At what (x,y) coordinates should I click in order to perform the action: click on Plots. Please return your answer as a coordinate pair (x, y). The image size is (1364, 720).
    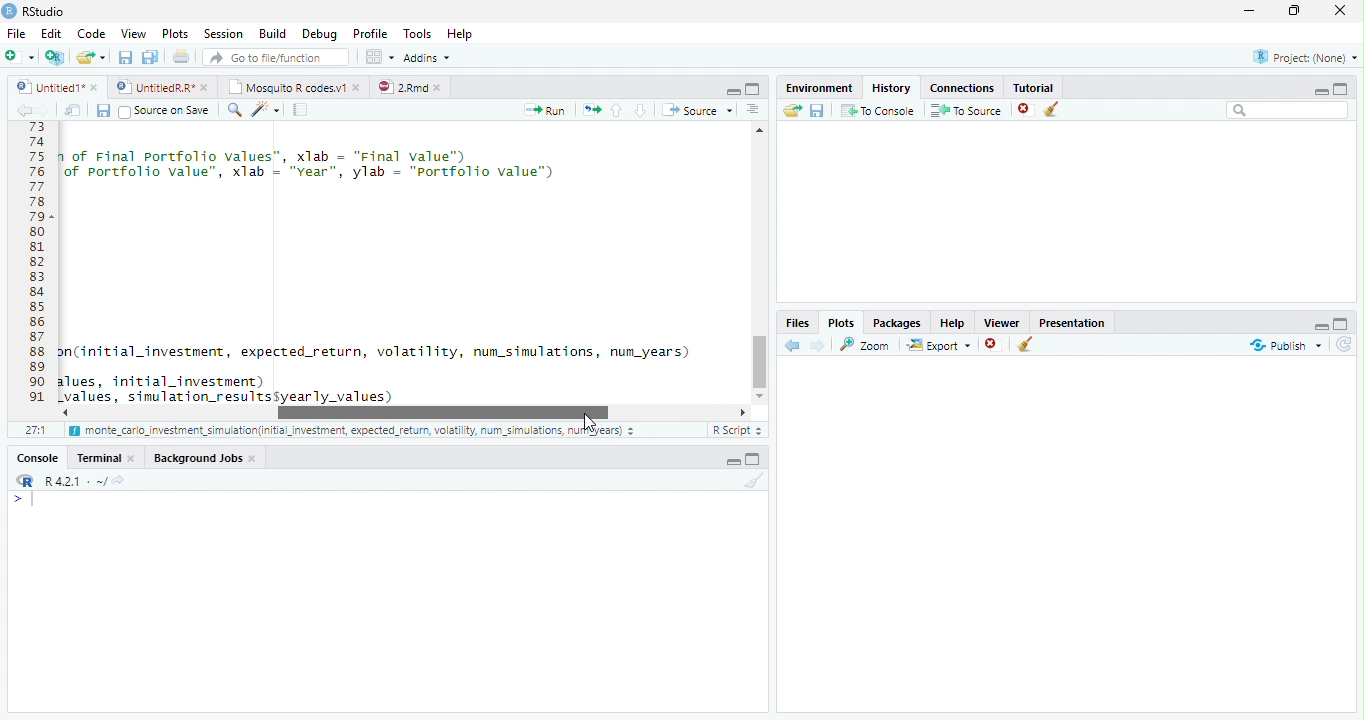
    Looking at the image, I should click on (174, 34).